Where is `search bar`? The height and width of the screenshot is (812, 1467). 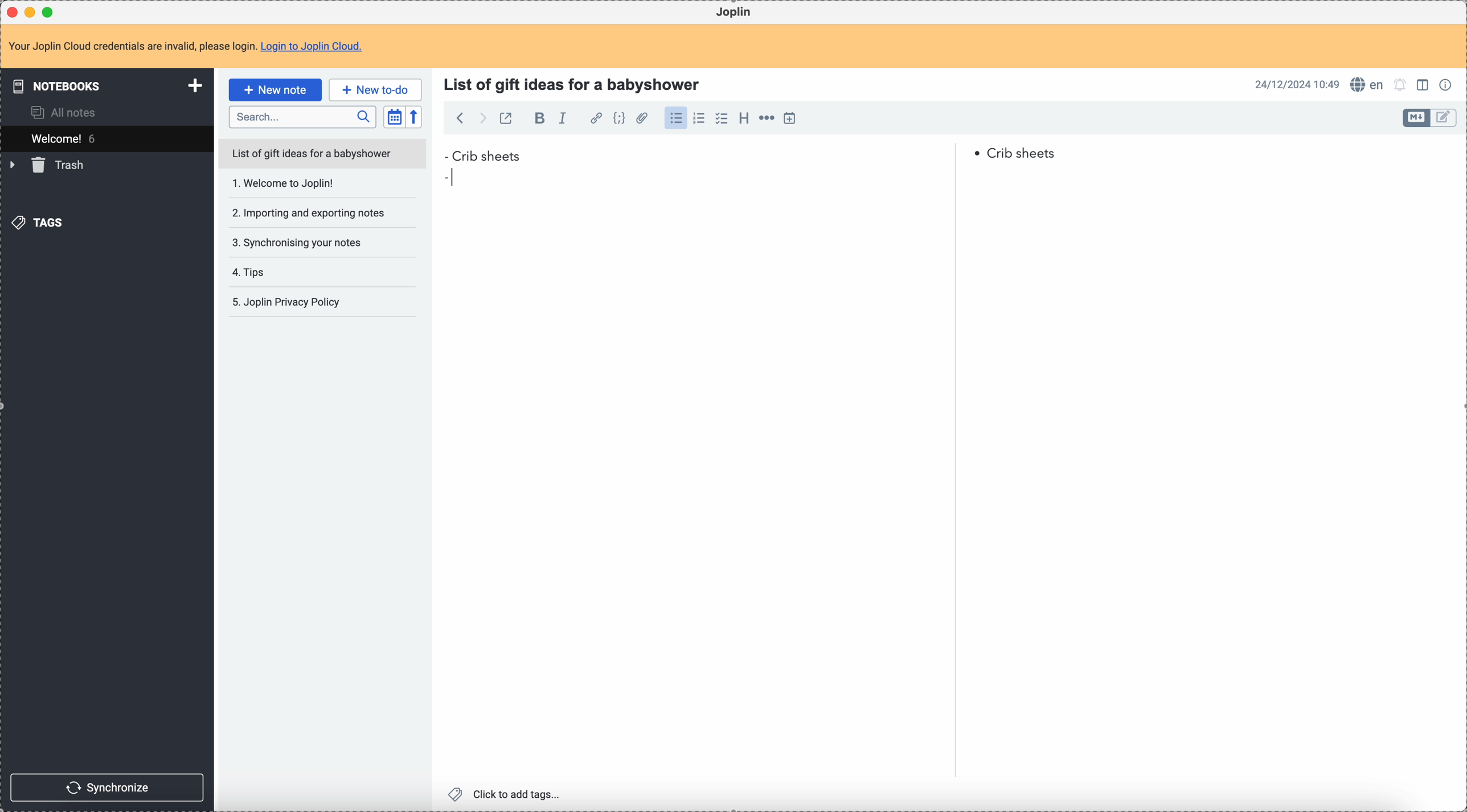 search bar is located at coordinates (302, 117).